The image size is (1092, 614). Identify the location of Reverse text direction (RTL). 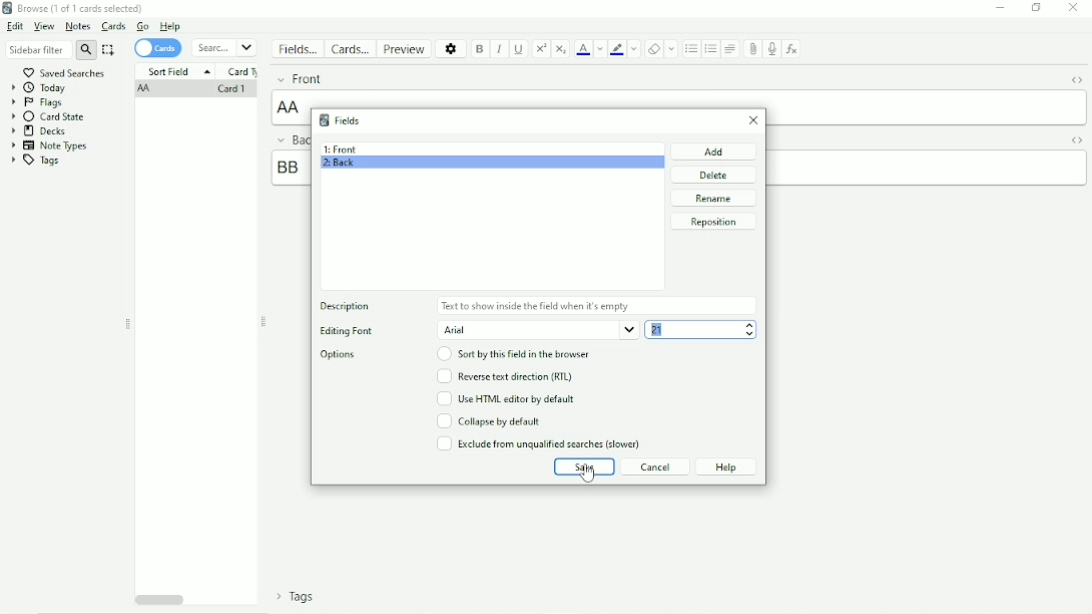
(504, 376).